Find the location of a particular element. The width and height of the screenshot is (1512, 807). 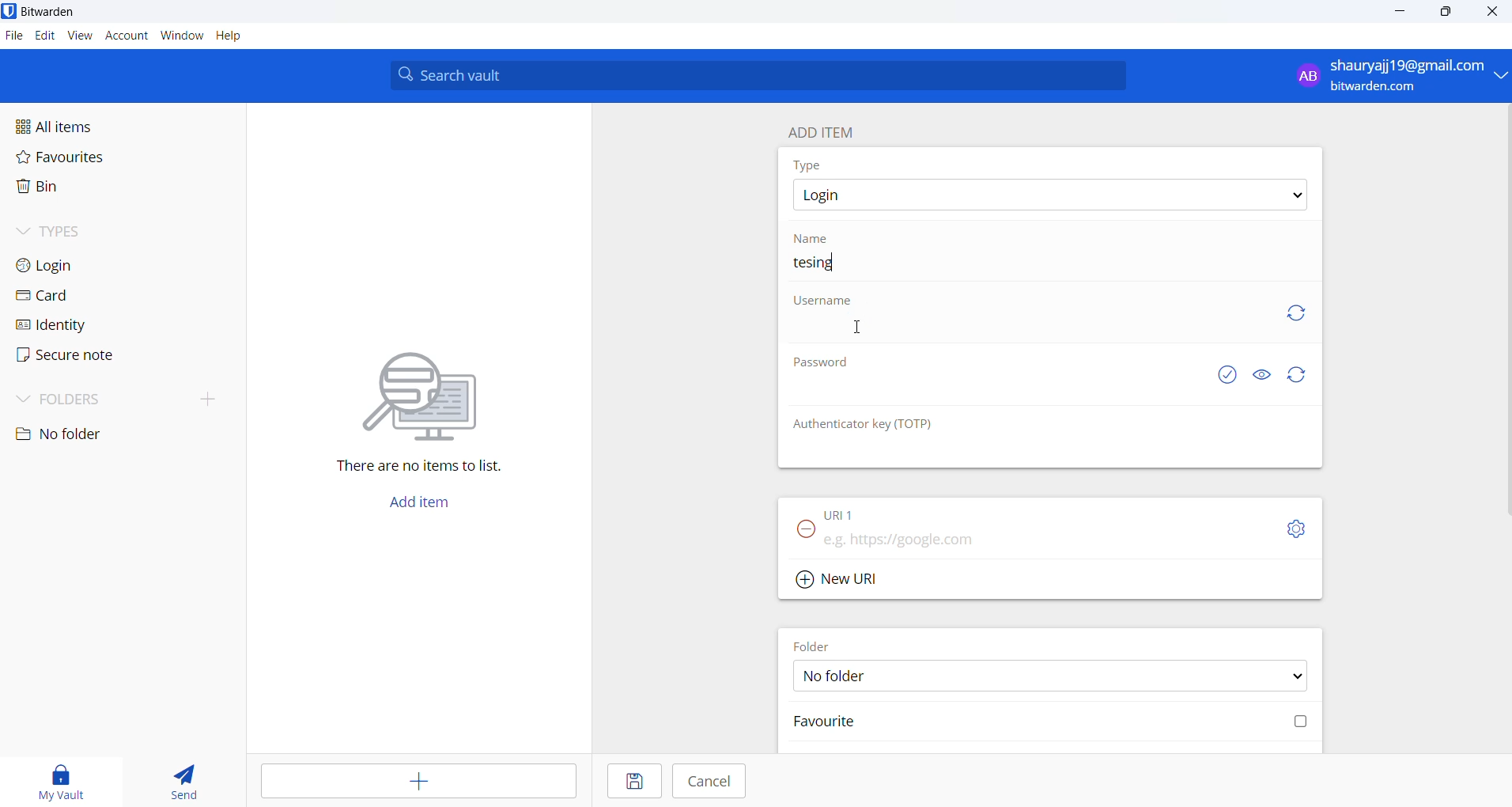

bin is located at coordinates (81, 191).